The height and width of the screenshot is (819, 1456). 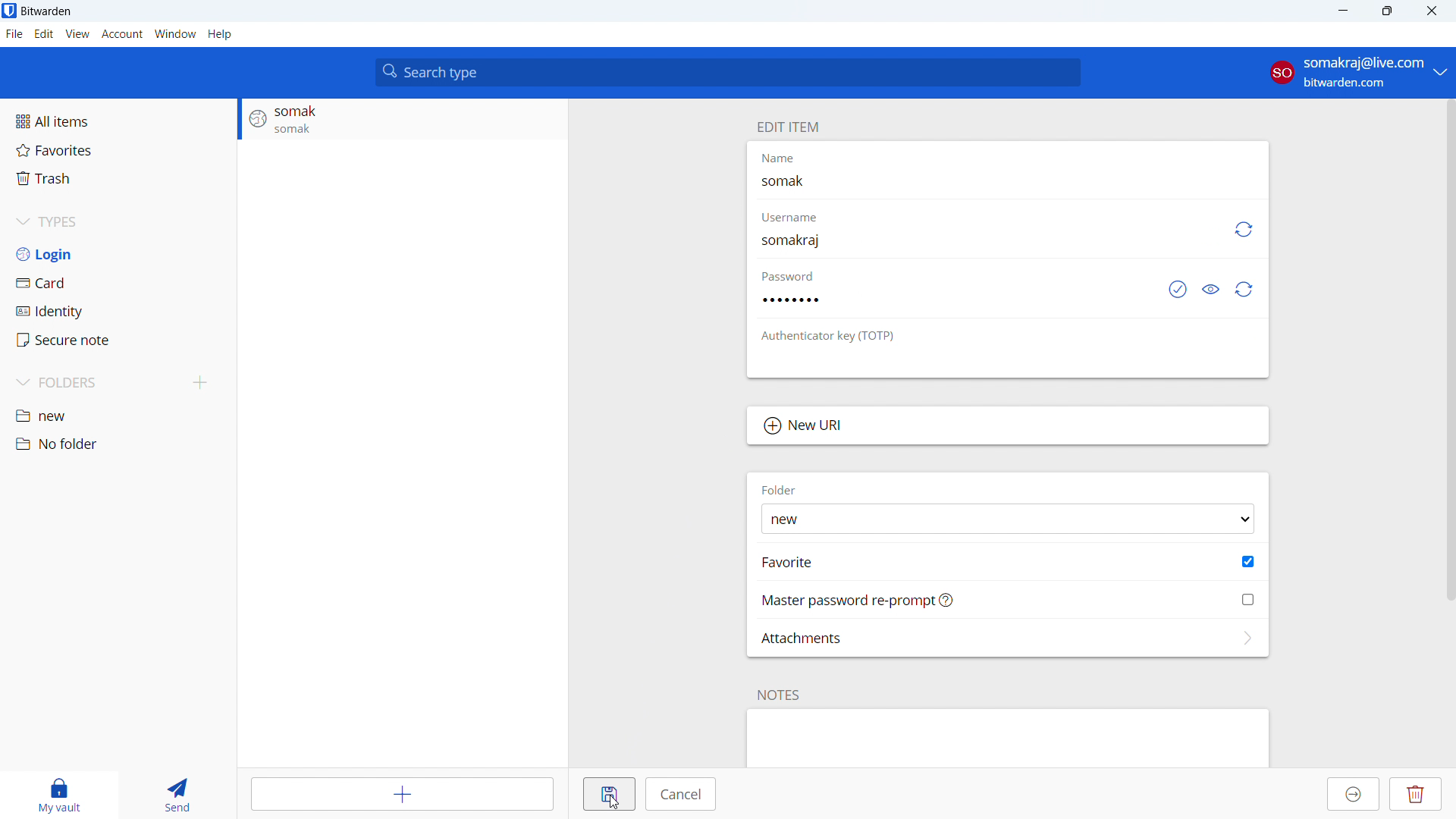 What do you see at coordinates (1008, 360) in the screenshot?
I see `edit authenticator key` at bounding box center [1008, 360].